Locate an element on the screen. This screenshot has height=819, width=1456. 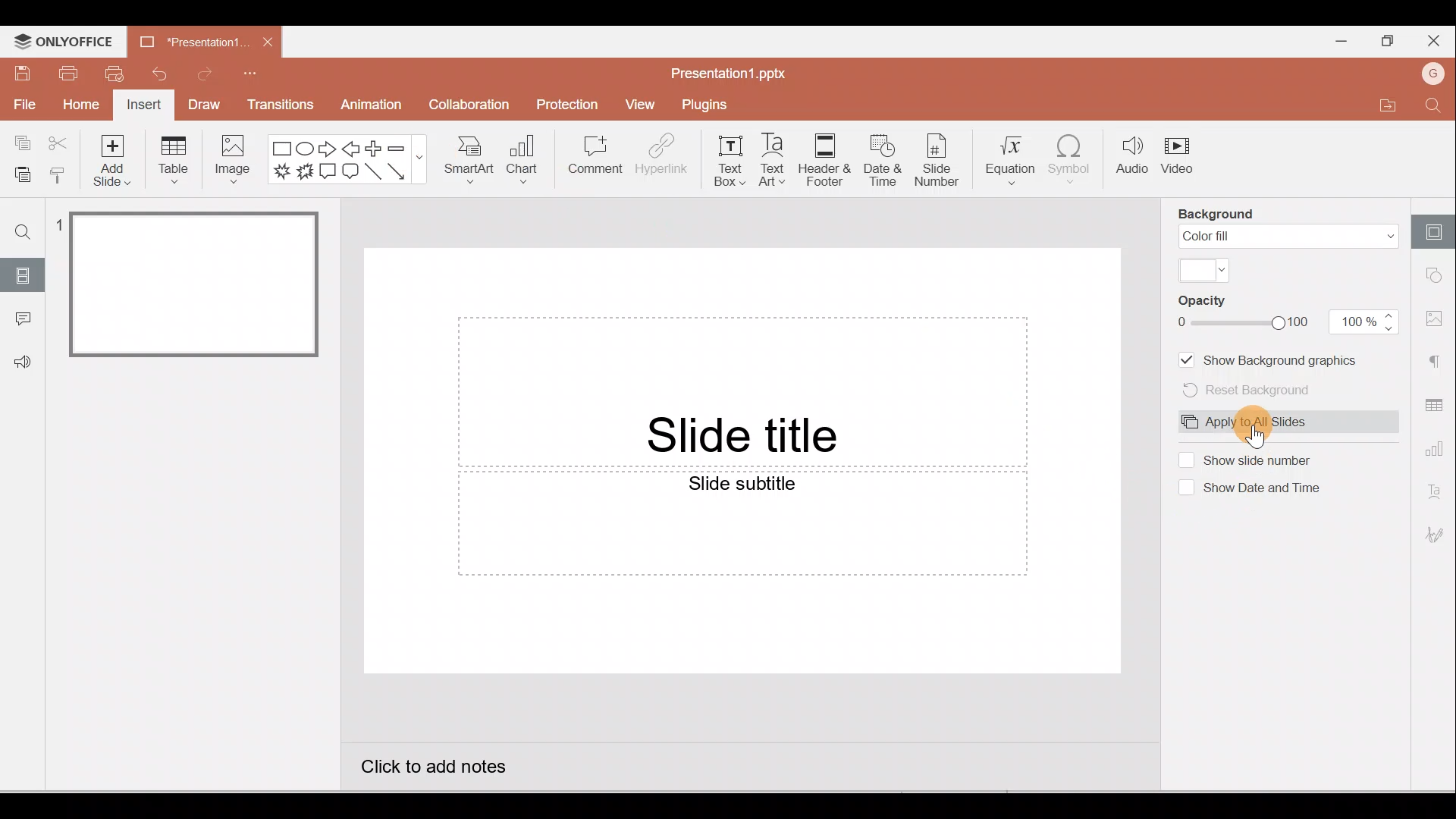
Table settings is located at coordinates (1435, 404).